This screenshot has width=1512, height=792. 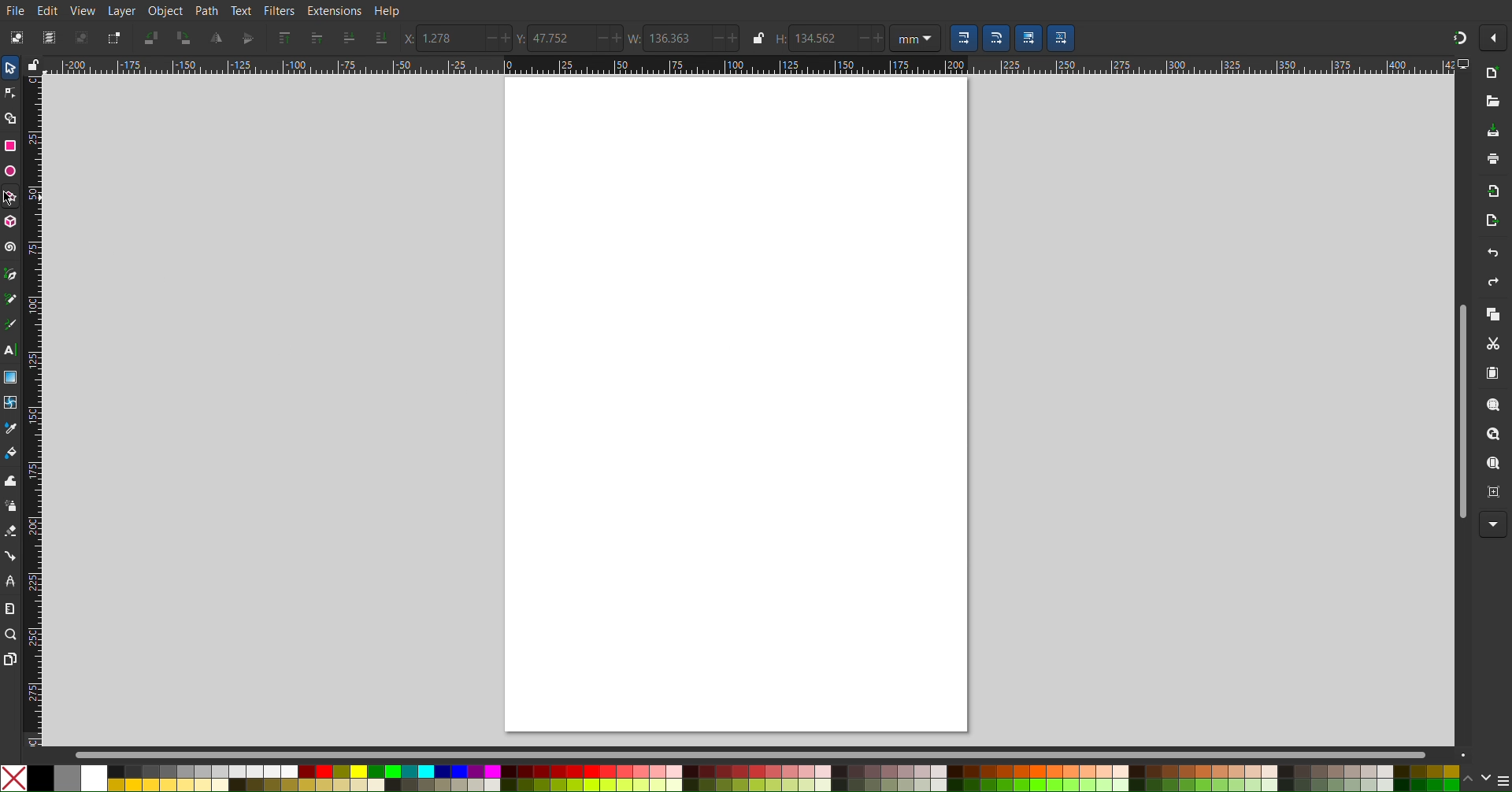 What do you see at coordinates (1495, 406) in the screenshot?
I see `Zoom Selection` at bounding box center [1495, 406].